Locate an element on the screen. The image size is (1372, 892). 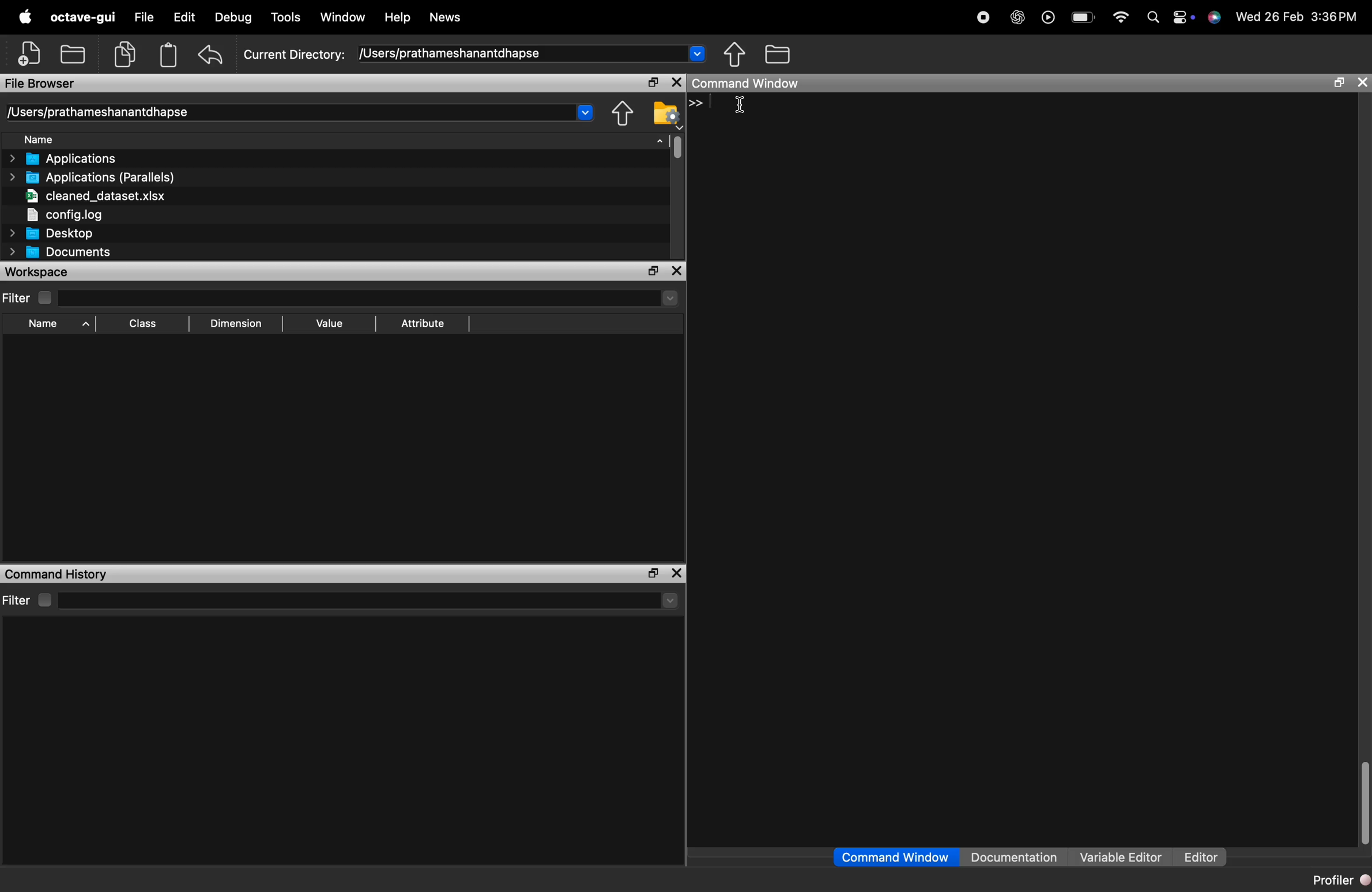
File Browser is located at coordinates (319, 84).